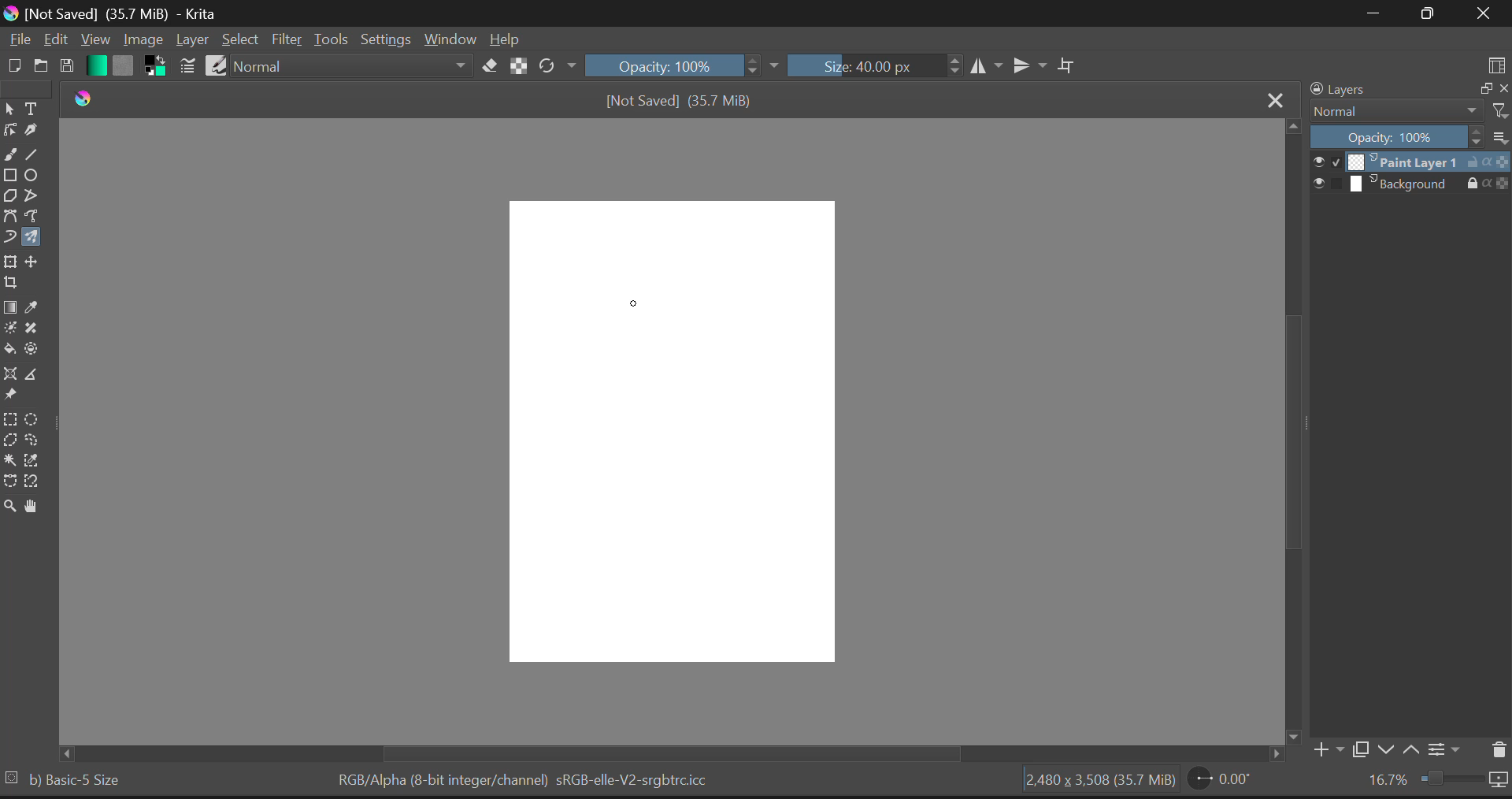 This screenshot has height=799, width=1512. What do you see at coordinates (77, 779) in the screenshot?
I see `Basic-5 Size` at bounding box center [77, 779].